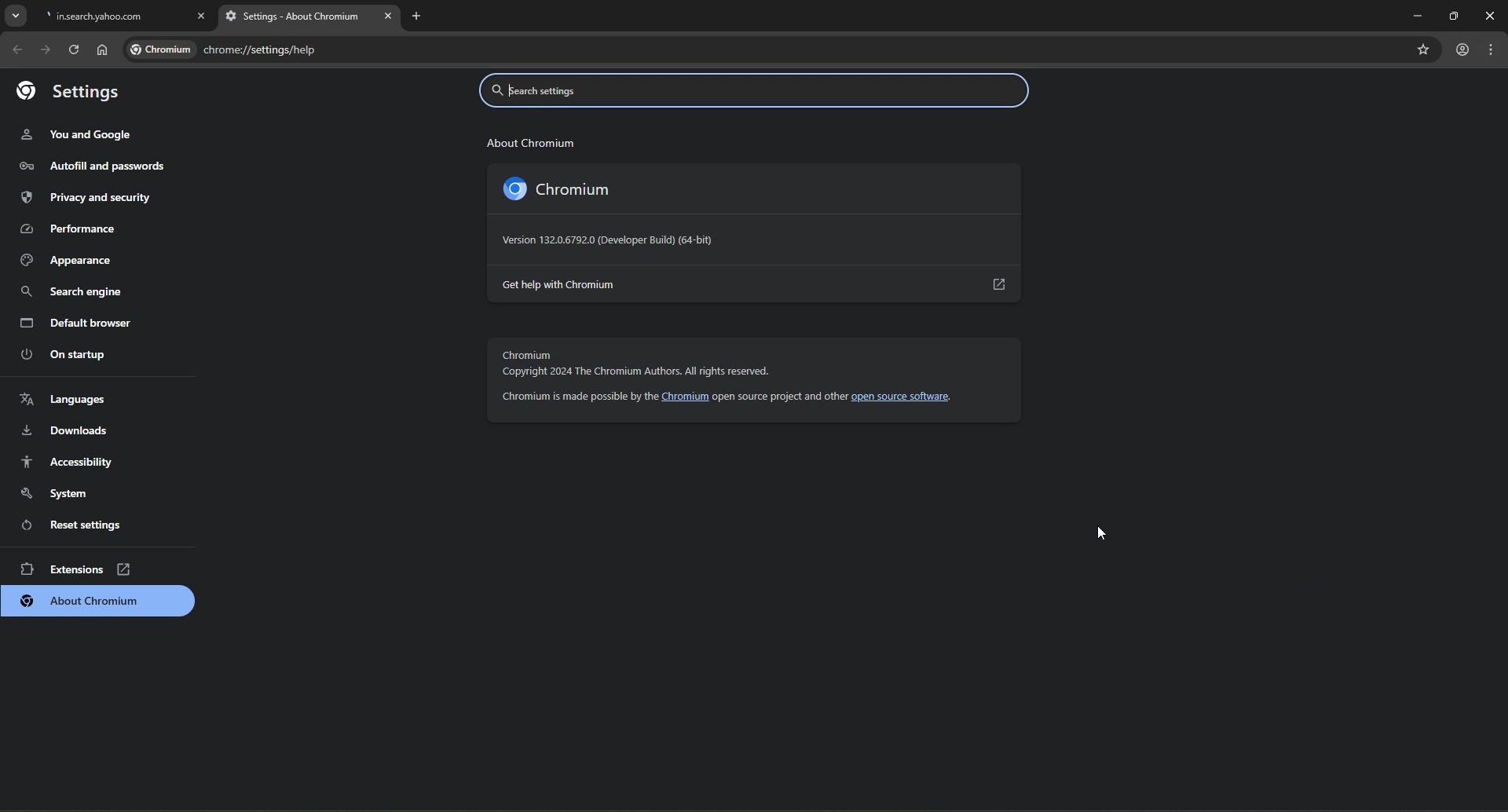 This screenshot has width=1508, height=812. Describe the element at coordinates (16, 49) in the screenshot. I see `Go Back` at that location.